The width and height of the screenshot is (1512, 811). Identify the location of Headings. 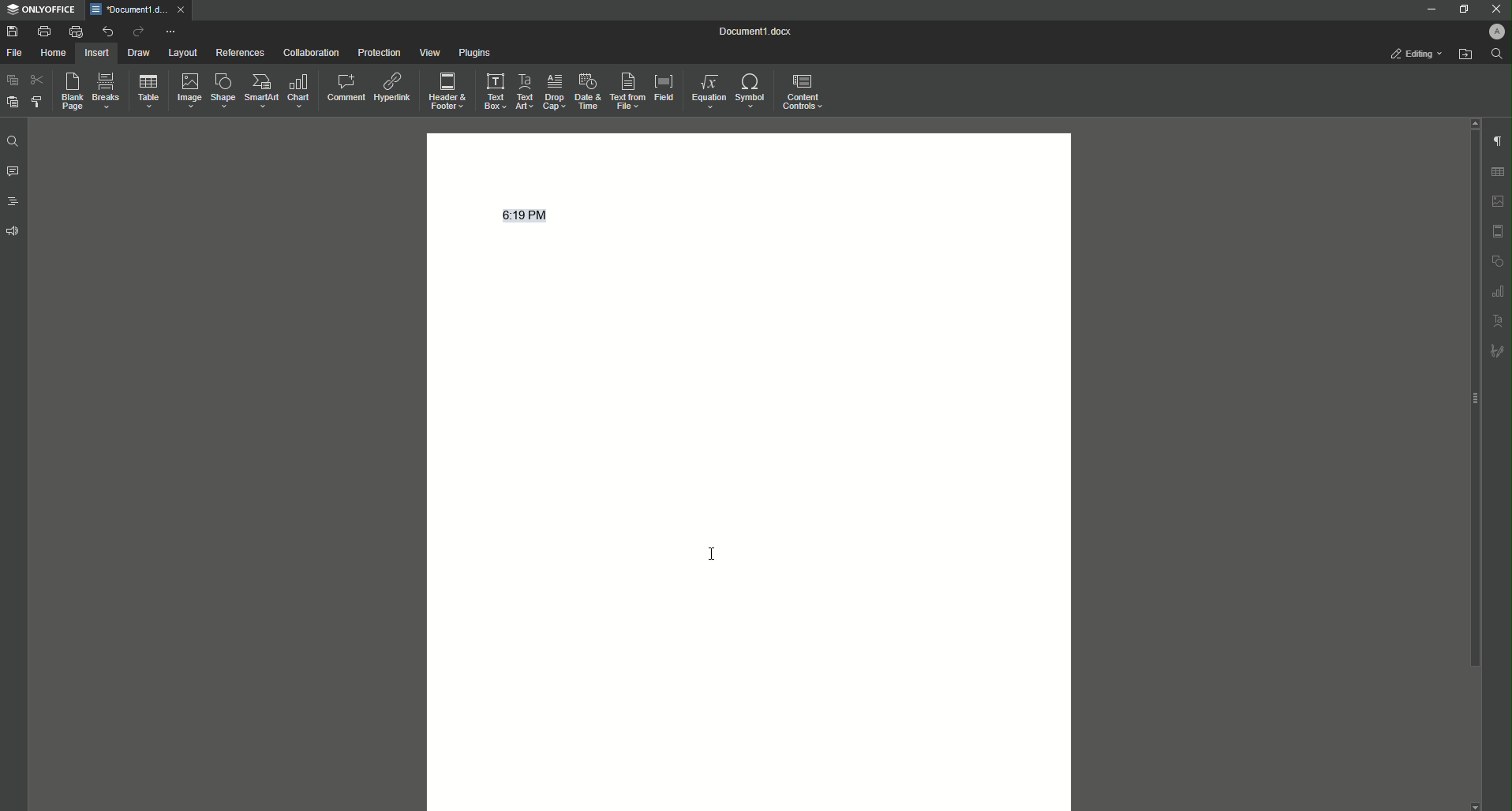
(12, 200).